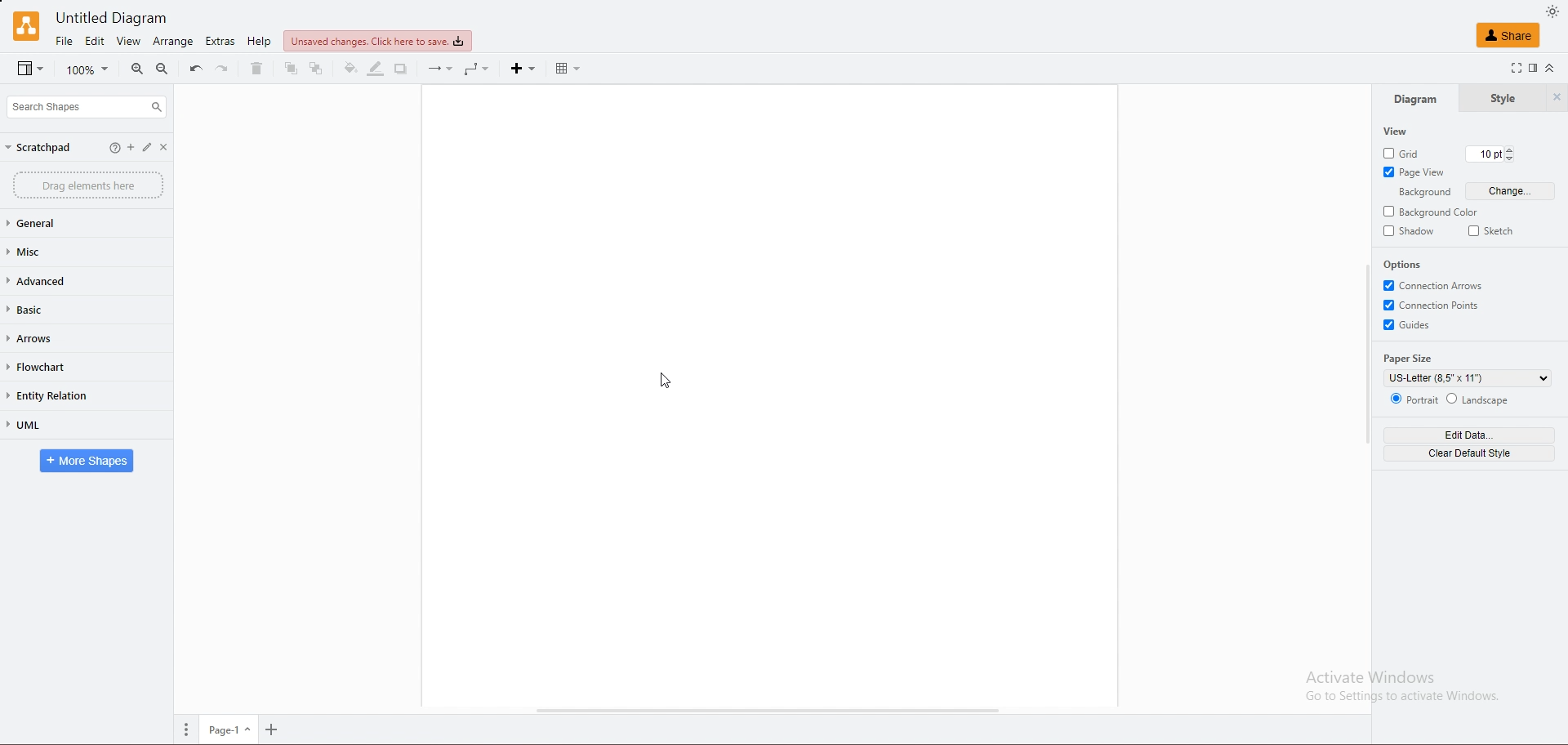  What do you see at coordinates (1405, 265) in the screenshot?
I see `options` at bounding box center [1405, 265].